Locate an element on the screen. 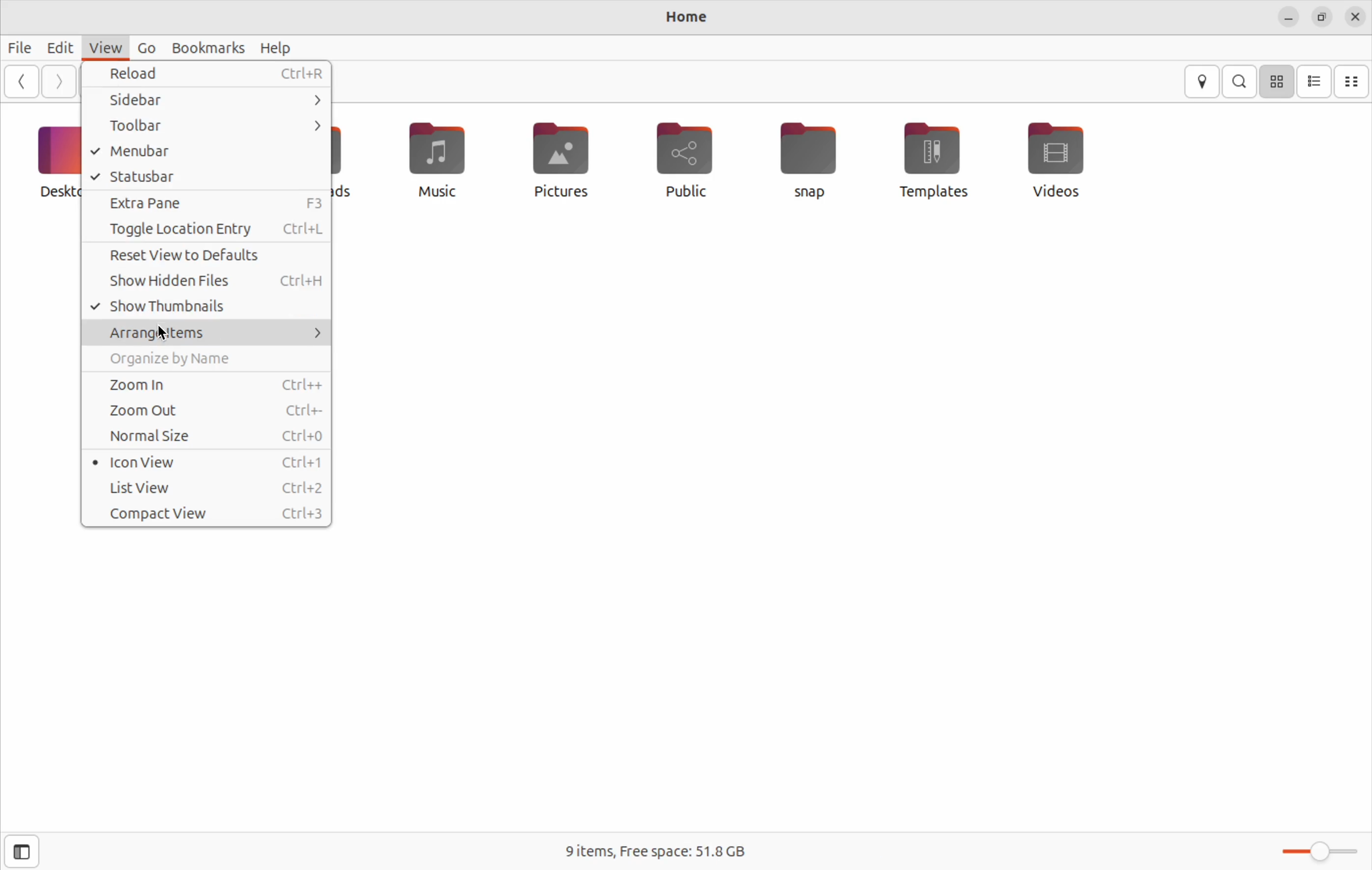 The image size is (1372, 870). status bar is located at coordinates (207, 176).